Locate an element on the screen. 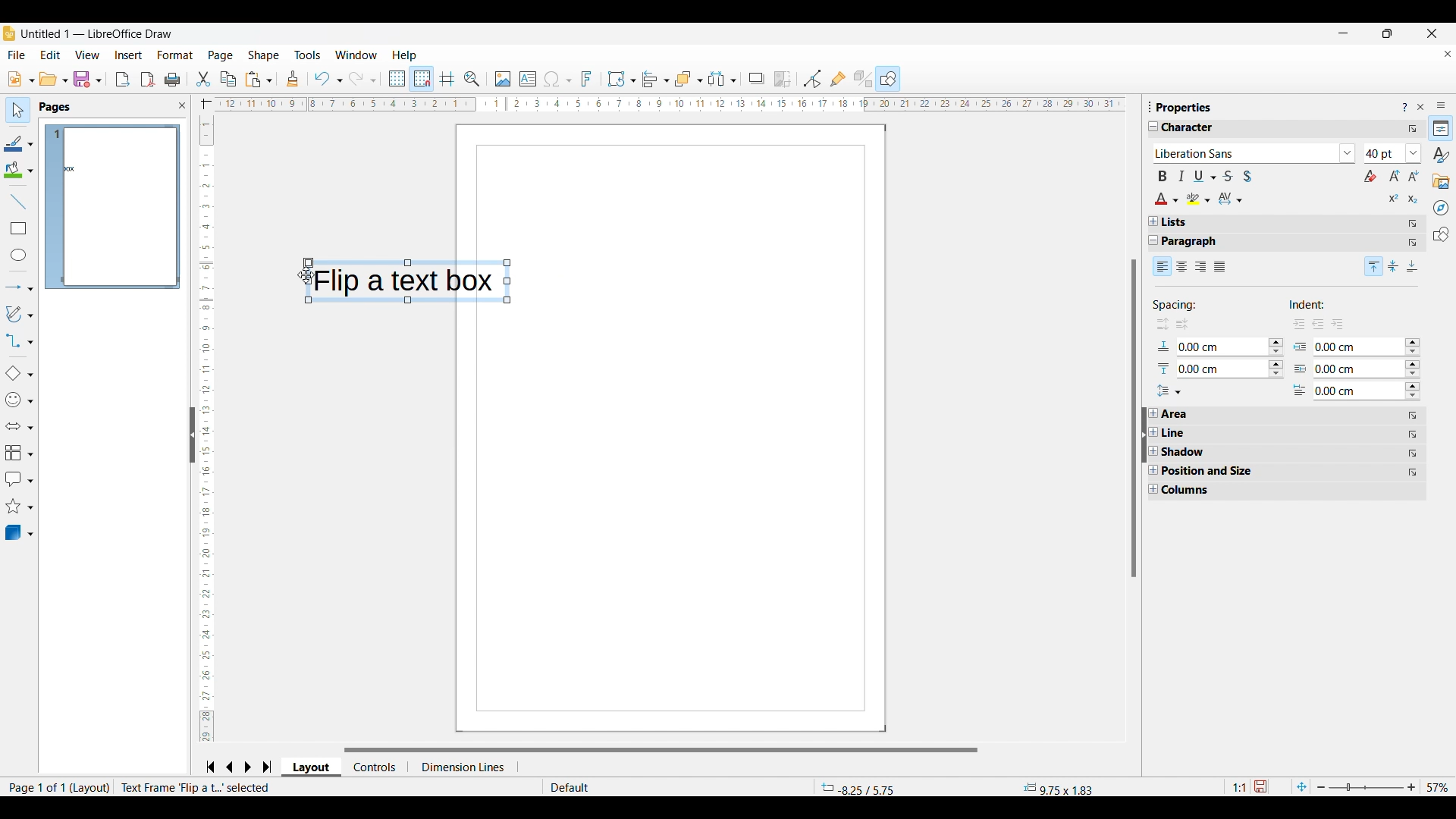  Go to previous slide is located at coordinates (230, 767).